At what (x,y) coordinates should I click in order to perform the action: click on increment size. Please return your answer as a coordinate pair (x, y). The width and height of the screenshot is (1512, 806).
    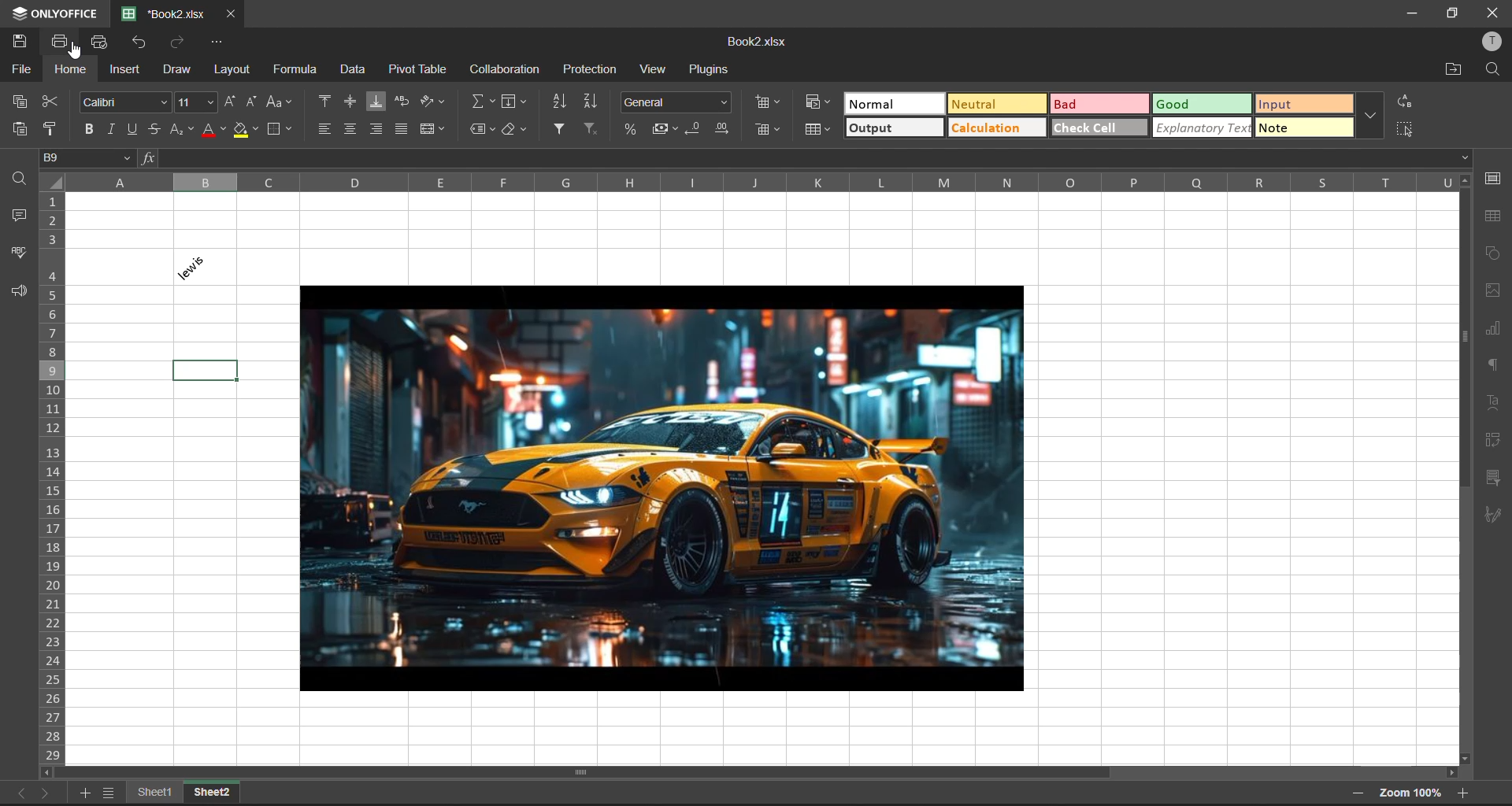
    Looking at the image, I should click on (235, 104).